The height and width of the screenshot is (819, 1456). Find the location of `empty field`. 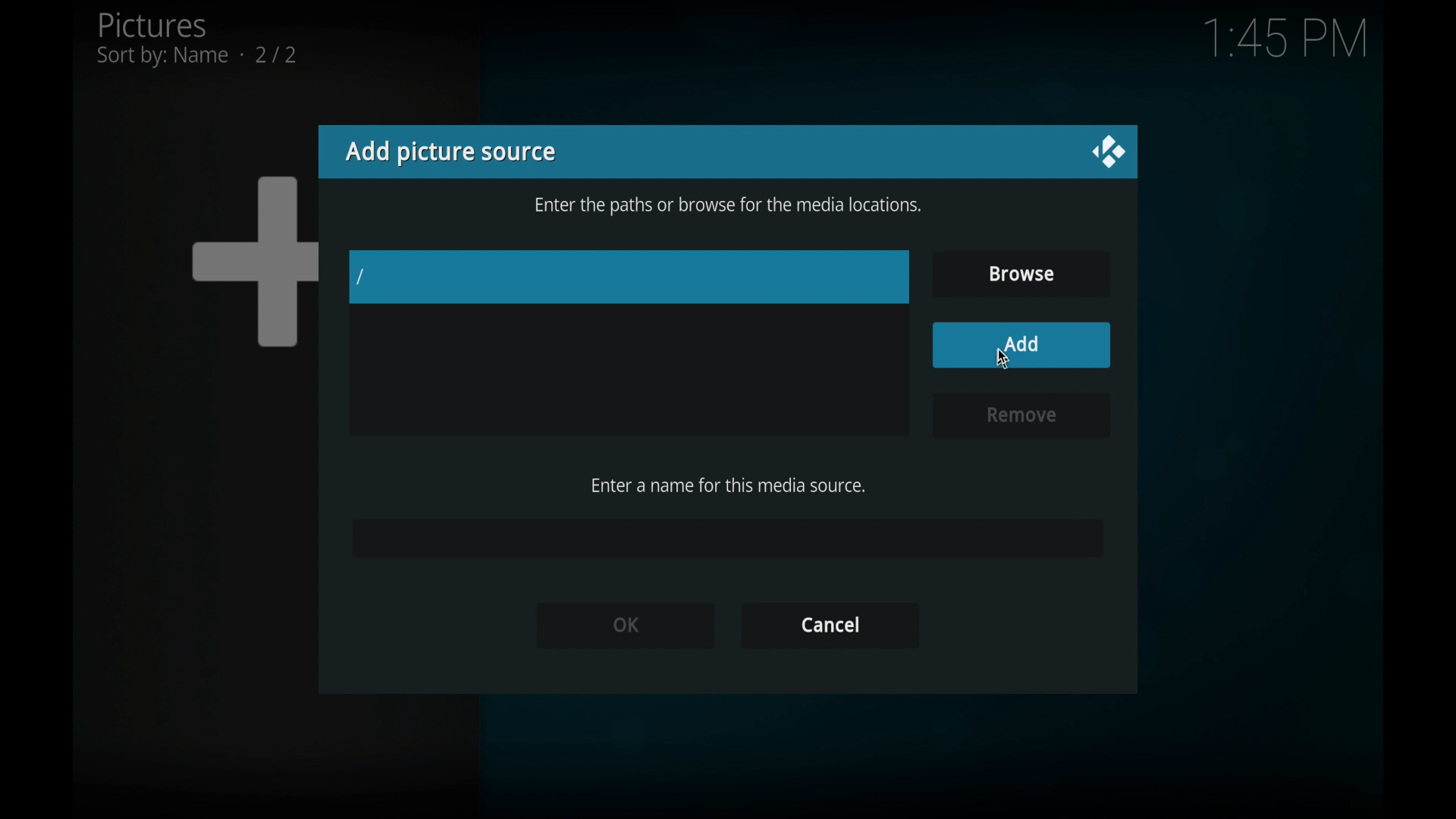

empty field is located at coordinates (726, 538).